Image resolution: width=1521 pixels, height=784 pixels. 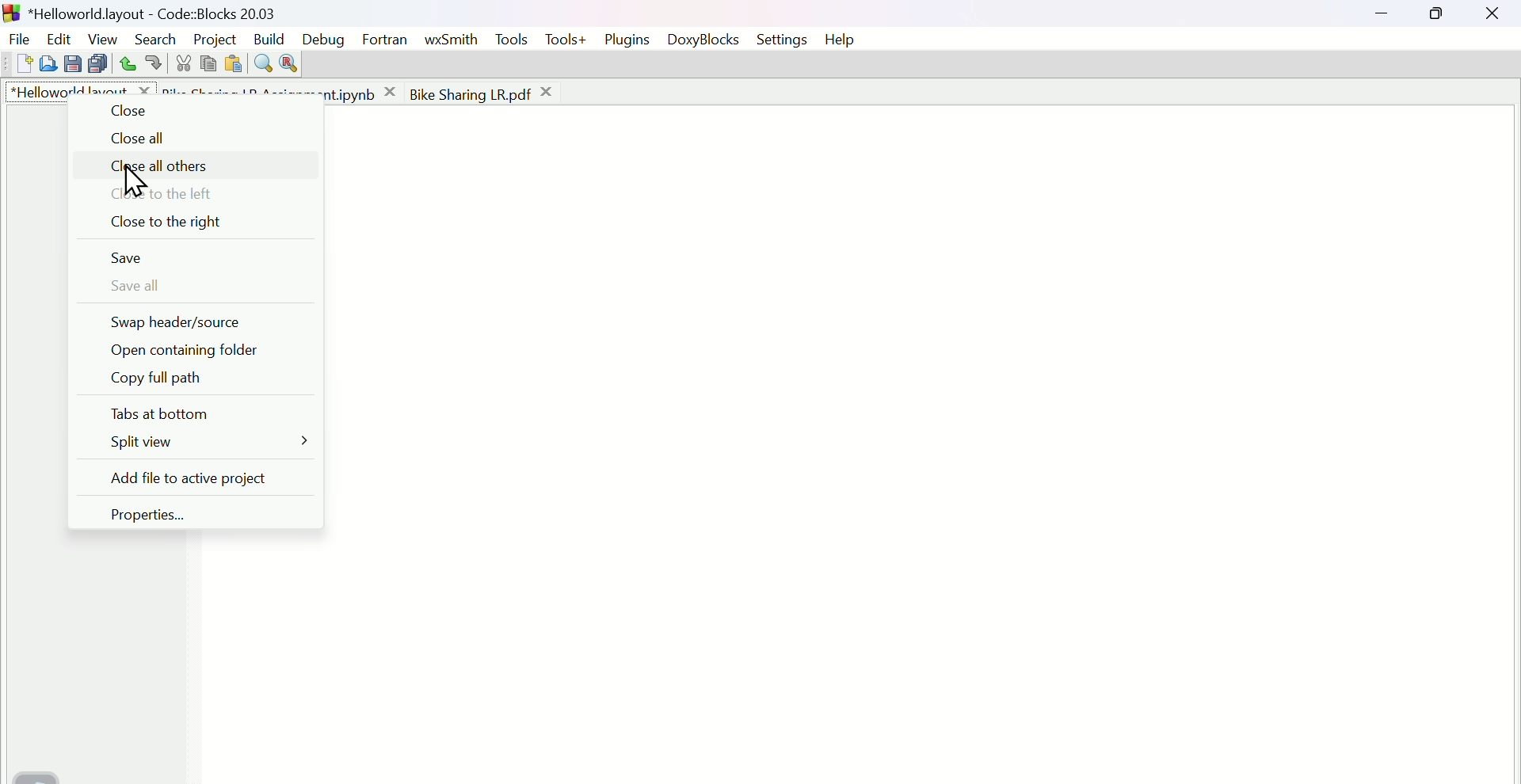 What do you see at coordinates (135, 183) in the screenshot?
I see `Cursor` at bounding box center [135, 183].